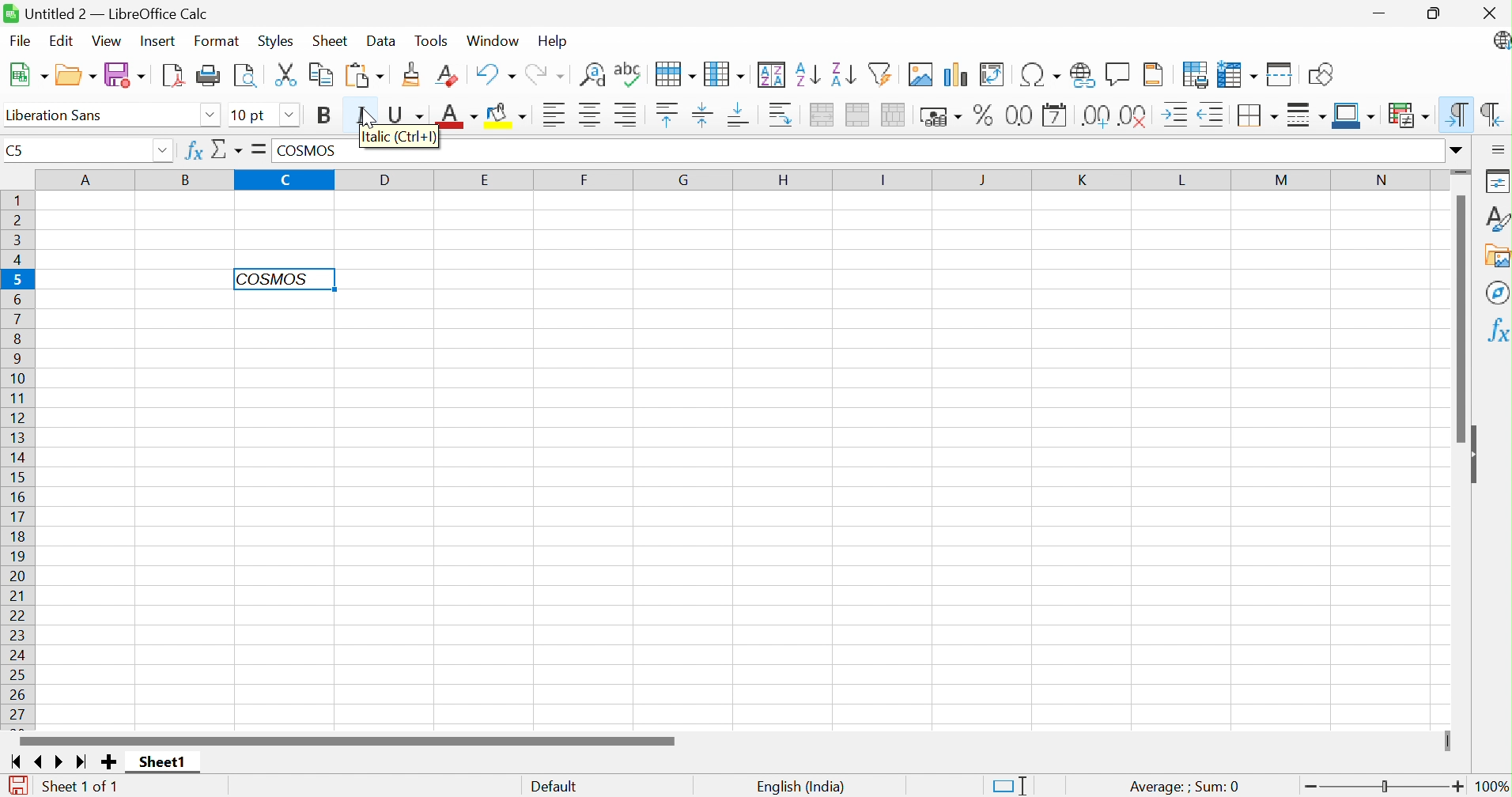 Image resolution: width=1512 pixels, height=797 pixels. What do you see at coordinates (82, 764) in the screenshot?
I see `Scroll to last sheet` at bounding box center [82, 764].